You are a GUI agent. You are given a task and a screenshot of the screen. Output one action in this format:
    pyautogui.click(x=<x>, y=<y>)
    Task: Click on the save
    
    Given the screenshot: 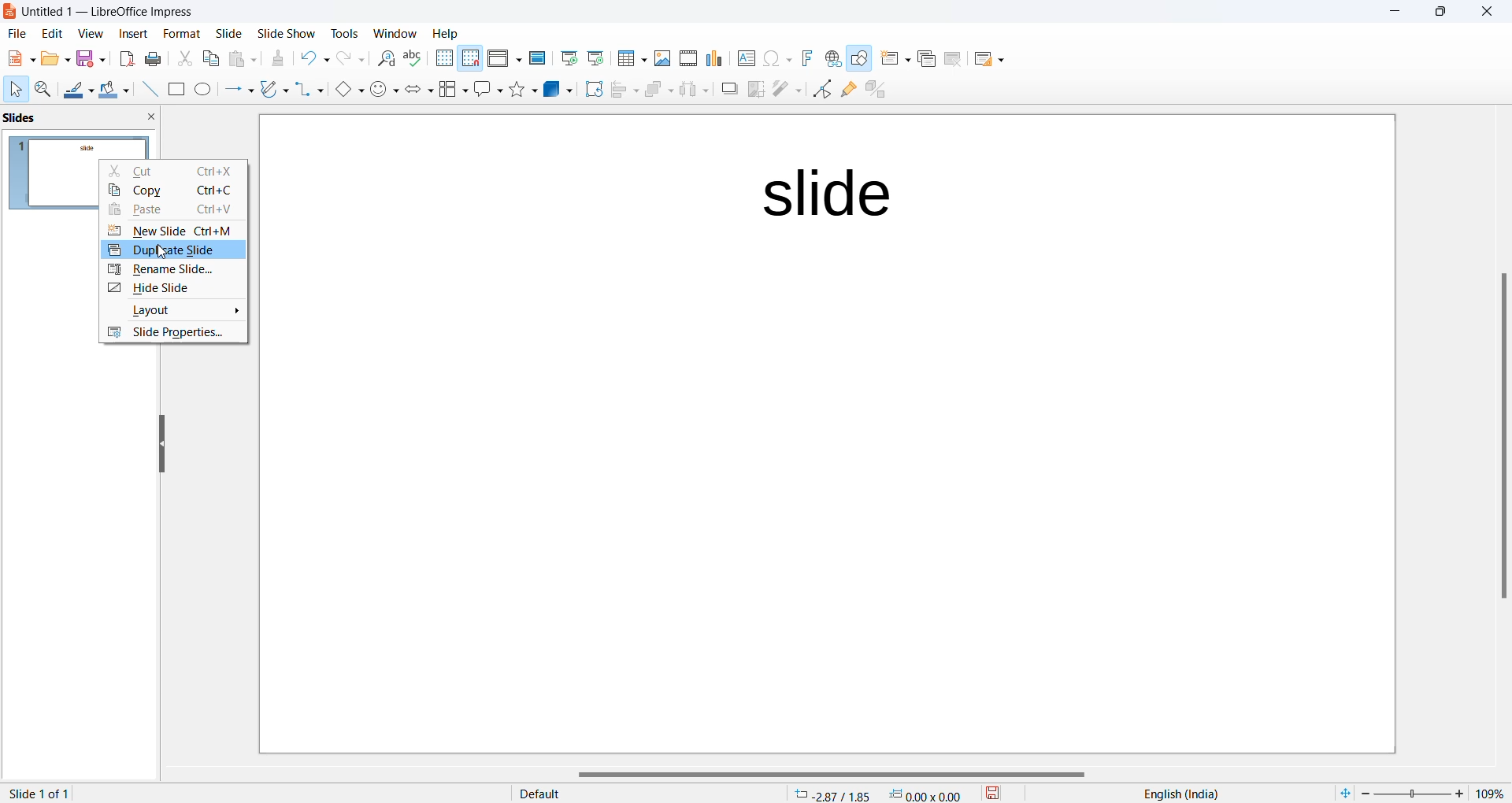 What is the action you would take?
    pyautogui.click(x=992, y=794)
    